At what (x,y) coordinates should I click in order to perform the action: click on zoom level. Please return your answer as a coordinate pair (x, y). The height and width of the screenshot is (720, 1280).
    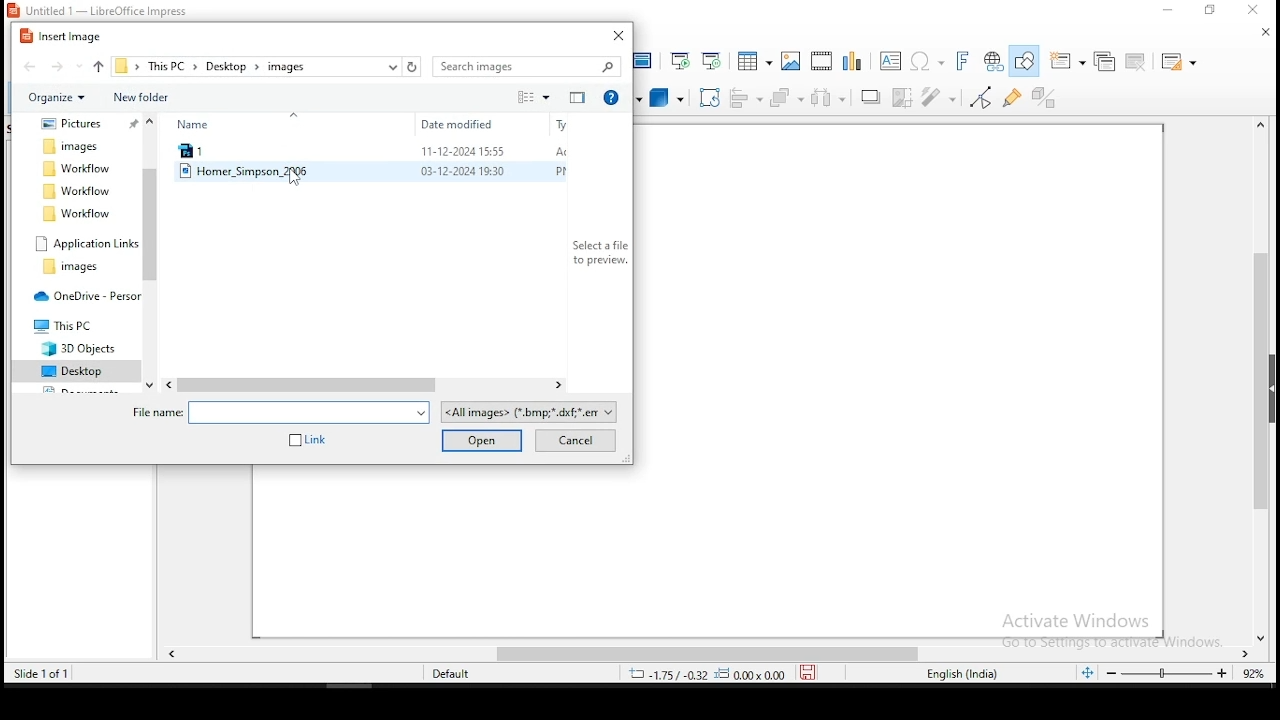
    Looking at the image, I should click on (1171, 673).